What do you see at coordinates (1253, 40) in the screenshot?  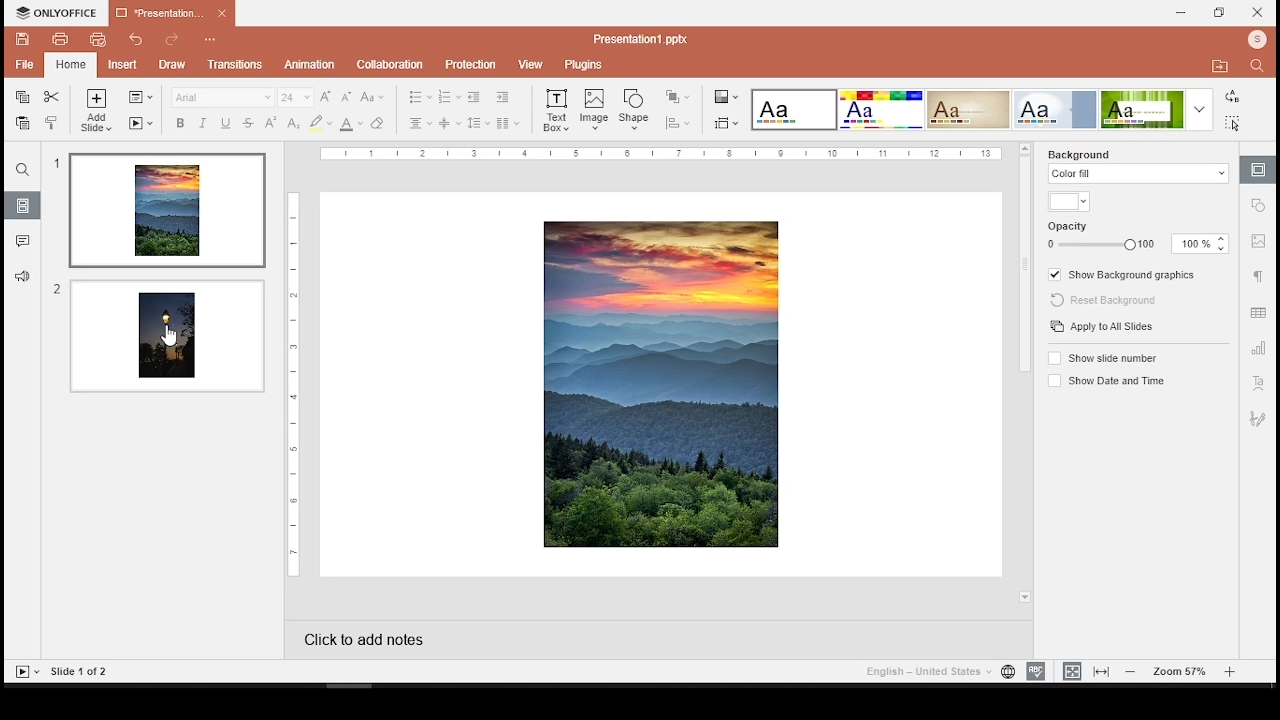 I see `profile` at bounding box center [1253, 40].